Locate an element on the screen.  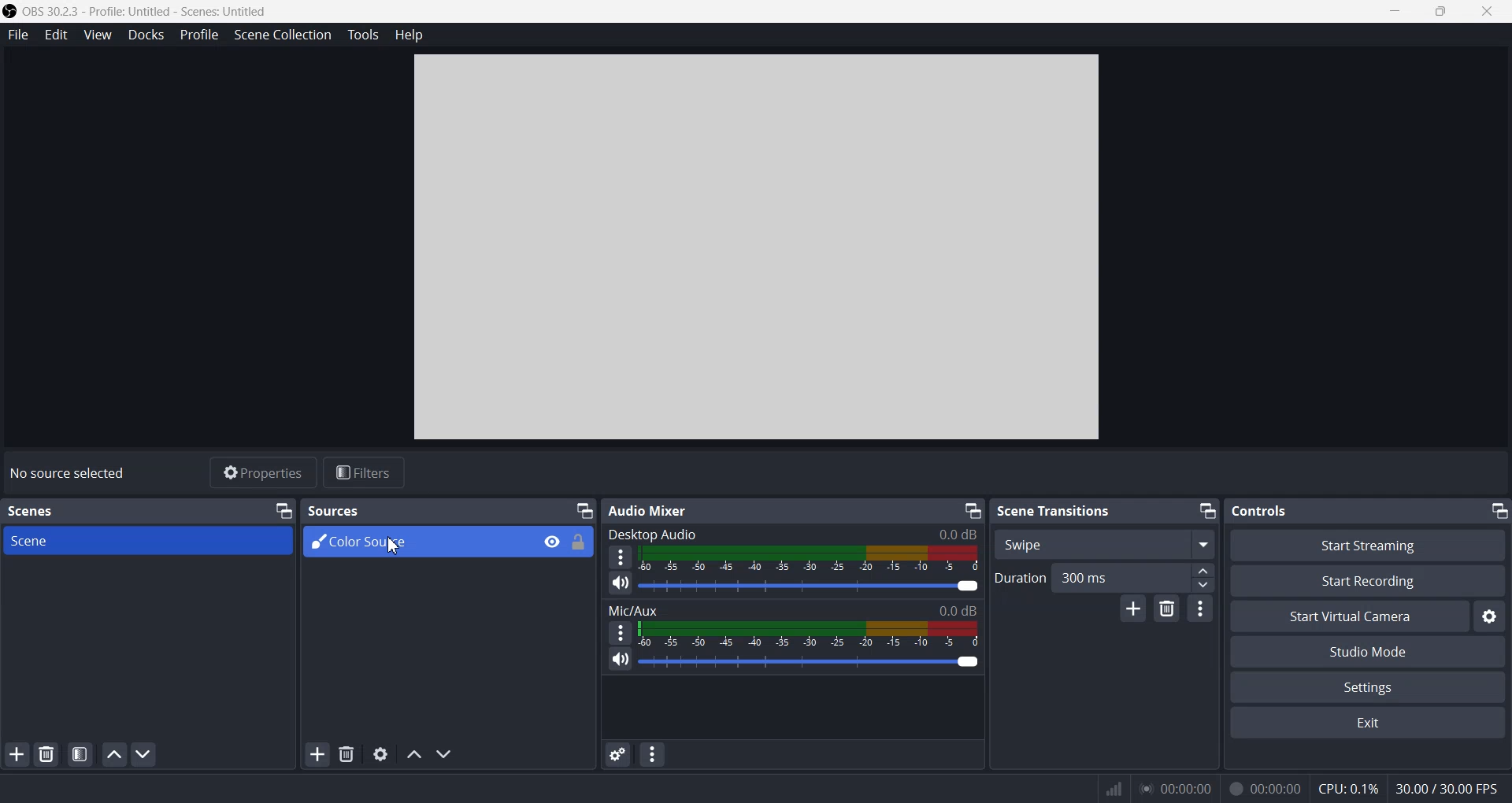
Properties is located at coordinates (262, 473).